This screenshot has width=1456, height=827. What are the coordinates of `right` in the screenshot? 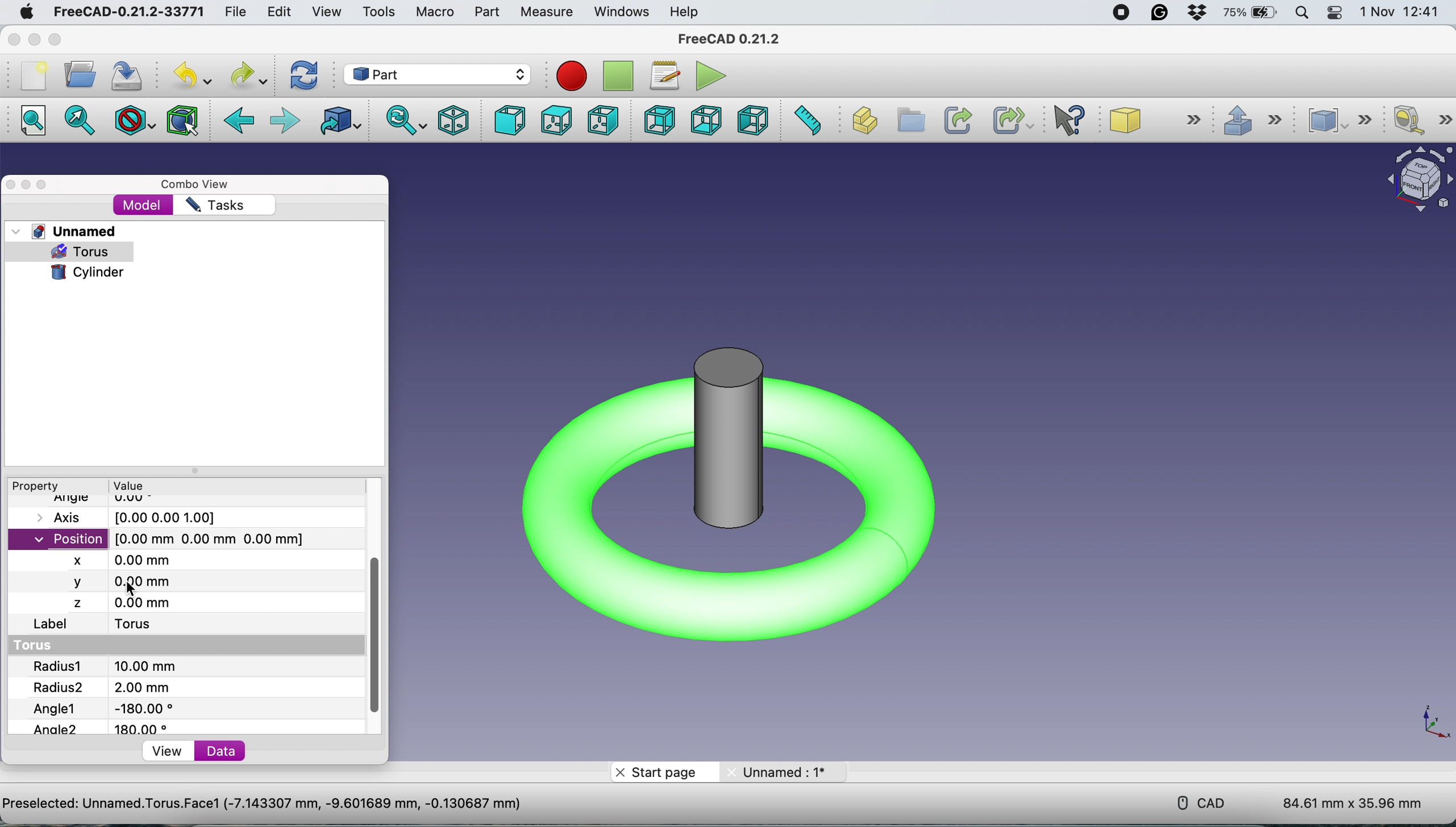 It's located at (601, 120).